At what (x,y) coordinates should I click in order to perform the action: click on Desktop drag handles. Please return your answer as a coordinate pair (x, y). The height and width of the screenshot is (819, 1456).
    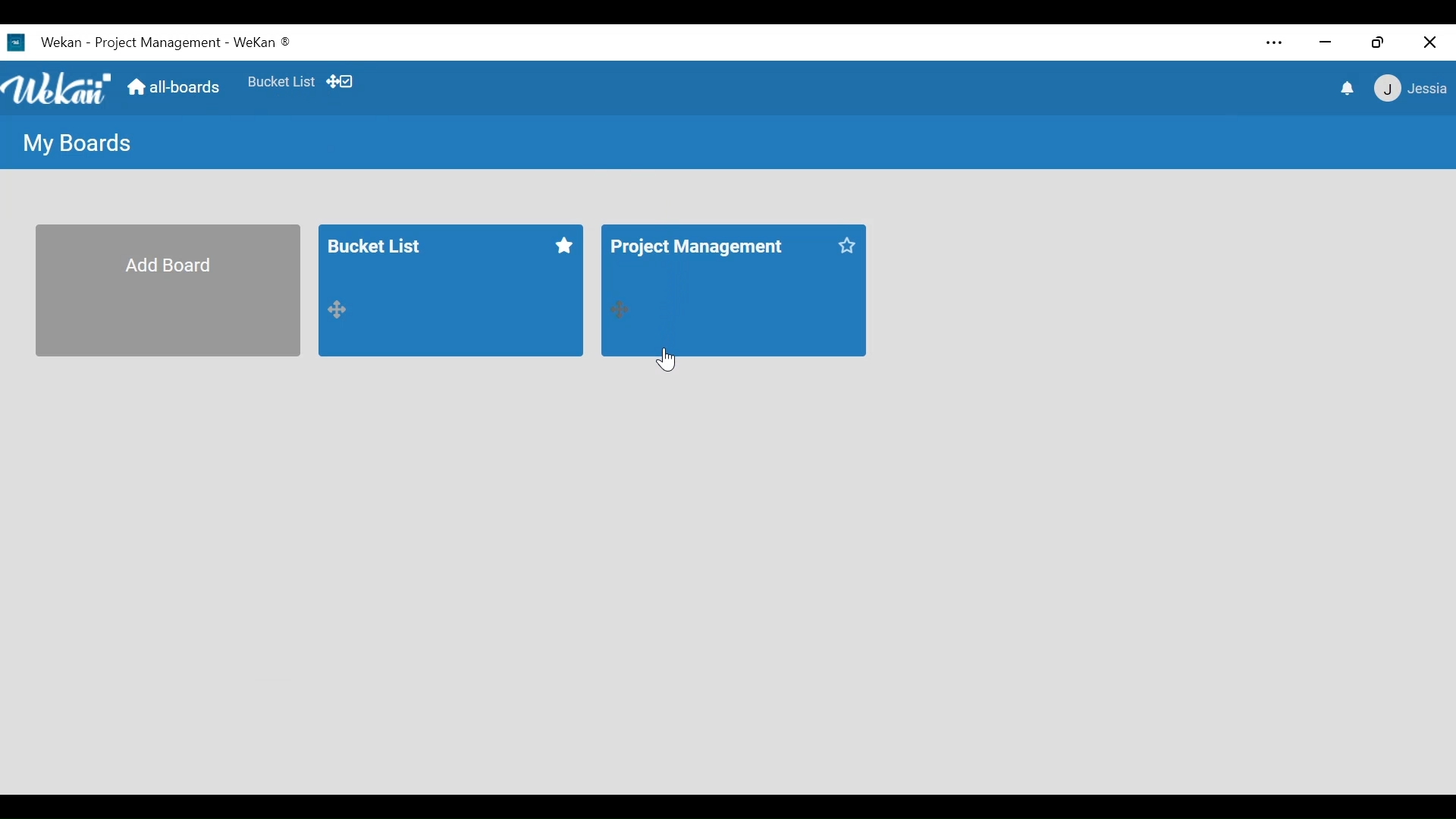
    Looking at the image, I should click on (343, 83).